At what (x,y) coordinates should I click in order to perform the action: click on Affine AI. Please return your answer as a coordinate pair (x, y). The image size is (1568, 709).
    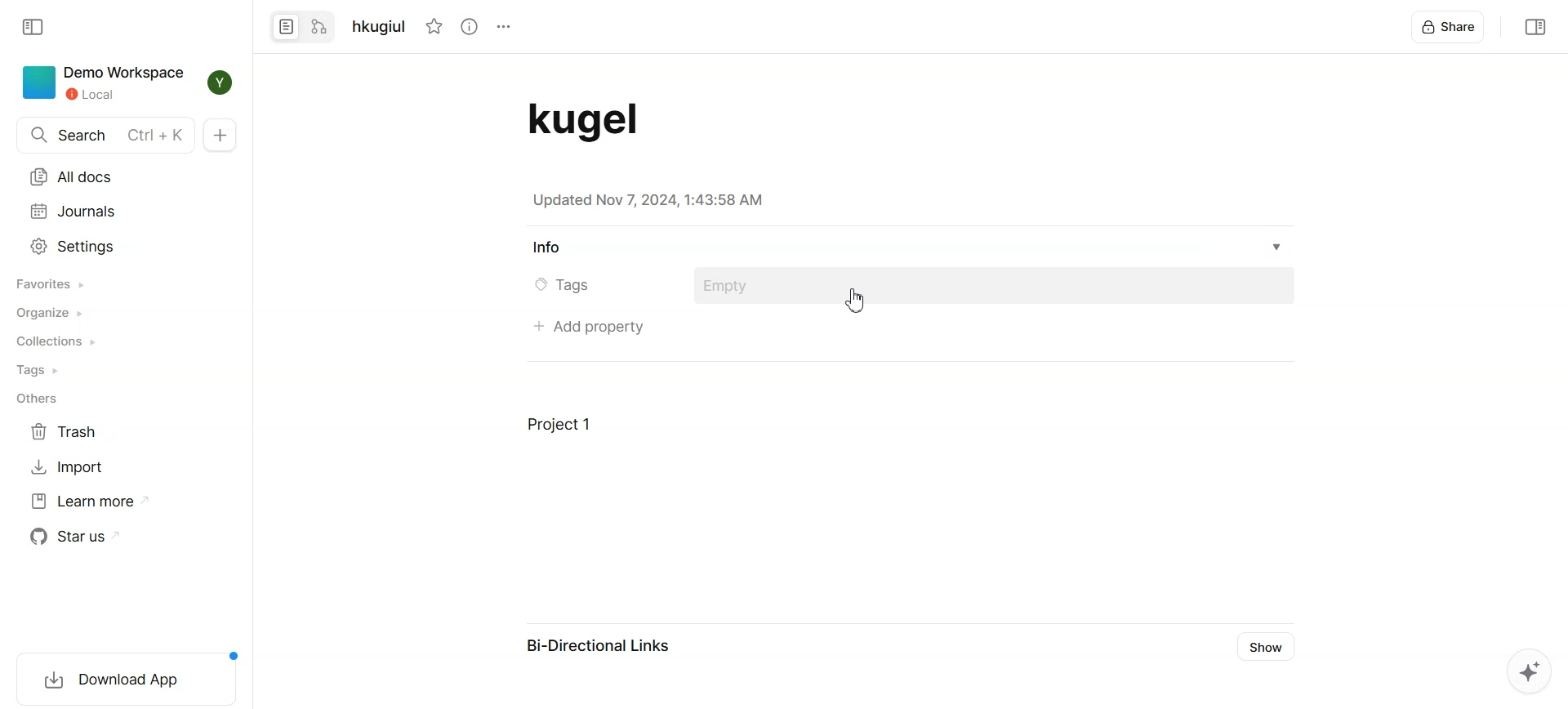
    Looking at the image, I should click on (1530, 671).